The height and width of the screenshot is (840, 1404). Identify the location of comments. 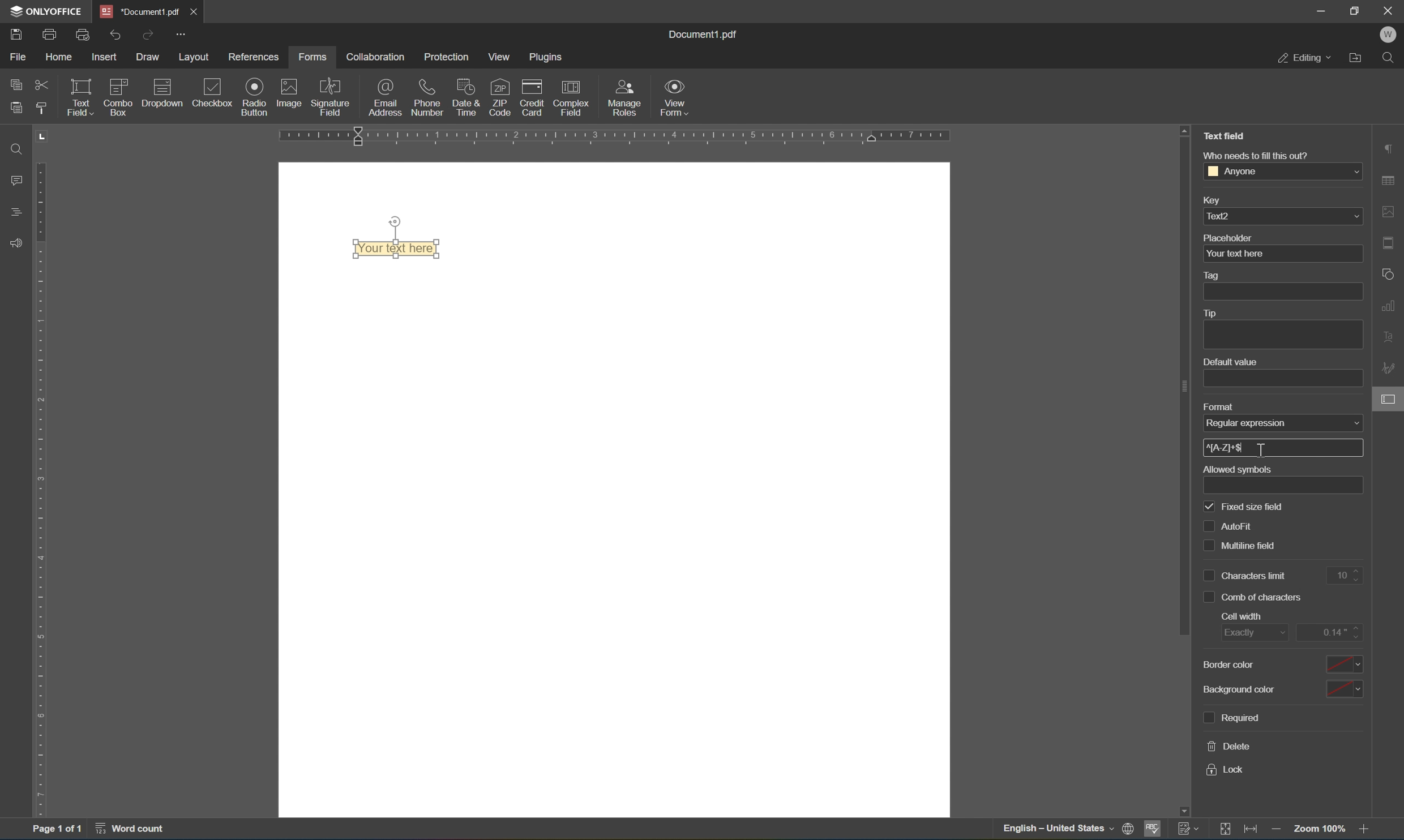
(13, 182).